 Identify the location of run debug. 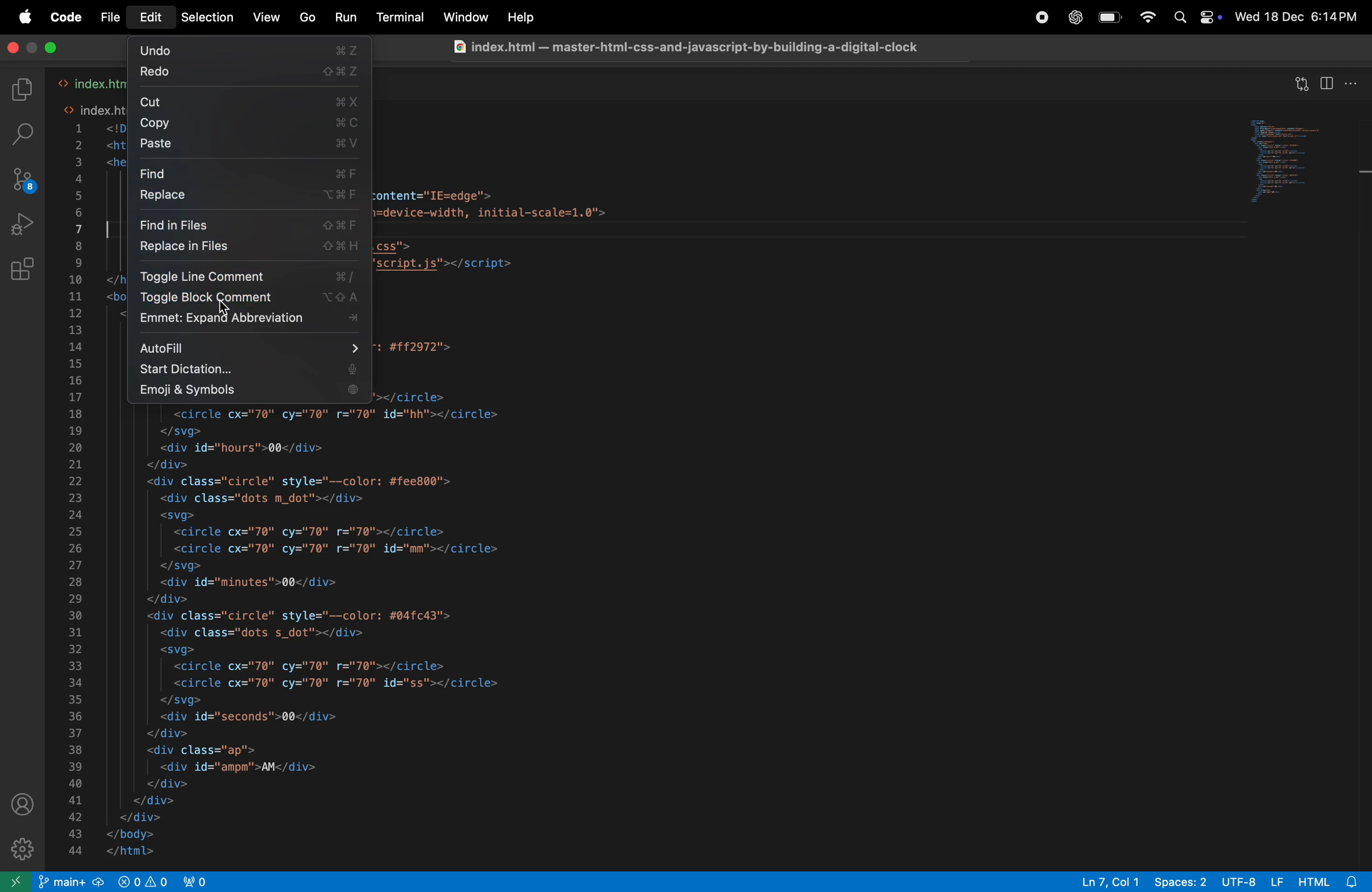
(24, 226).